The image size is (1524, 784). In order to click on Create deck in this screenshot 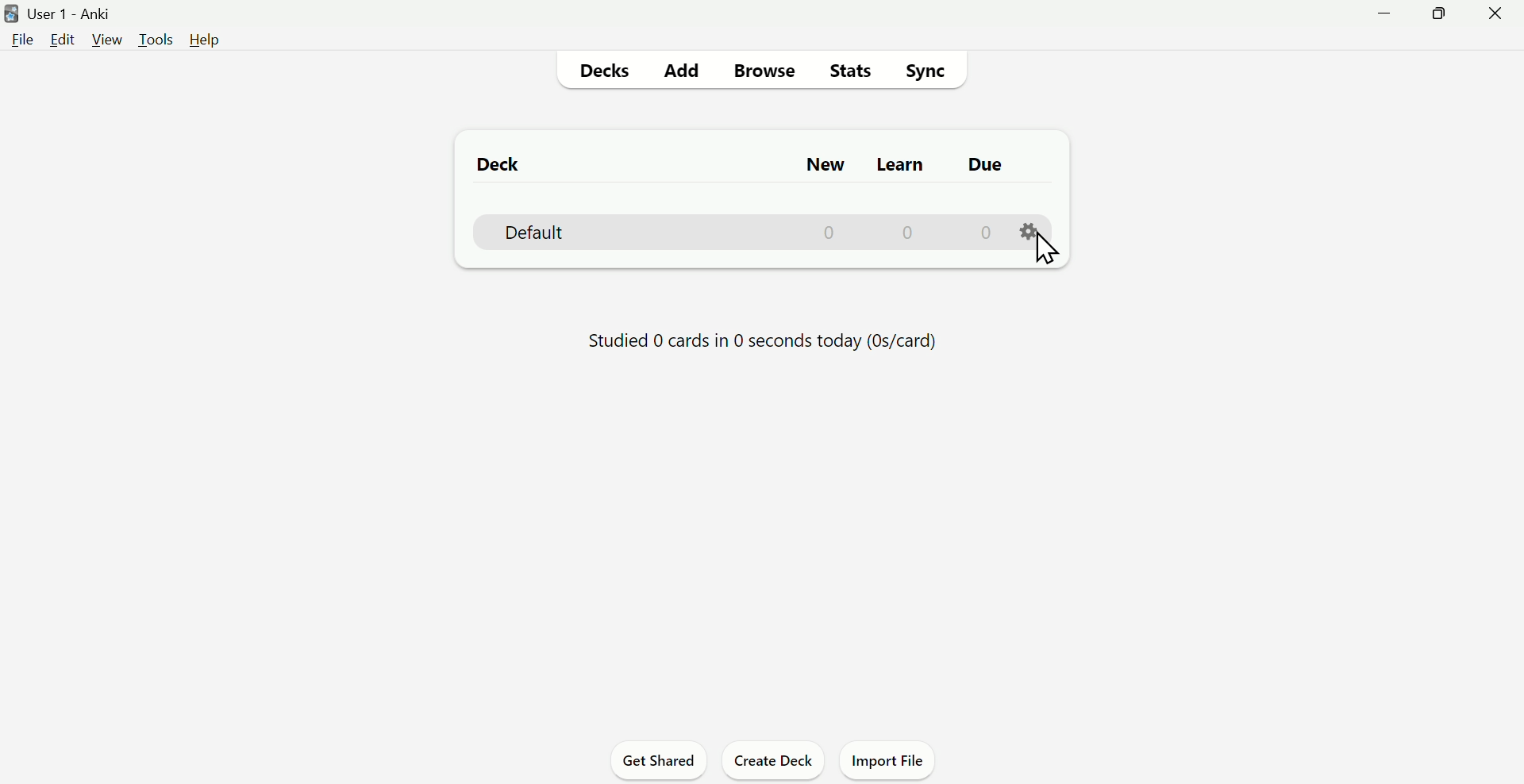, I will do `click(776, 762)`.